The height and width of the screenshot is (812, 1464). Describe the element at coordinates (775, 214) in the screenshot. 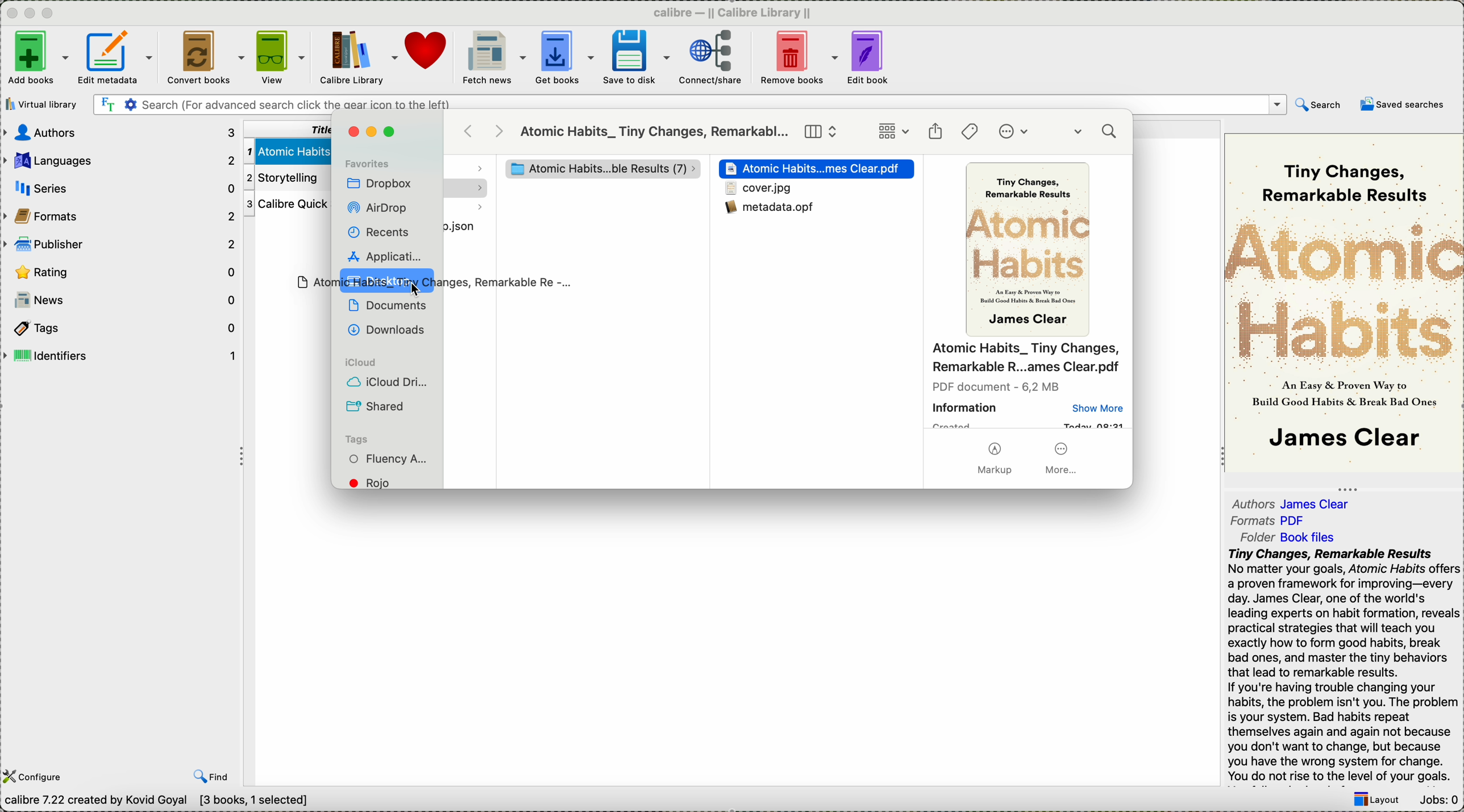

I see `metadata.opf` at that location.